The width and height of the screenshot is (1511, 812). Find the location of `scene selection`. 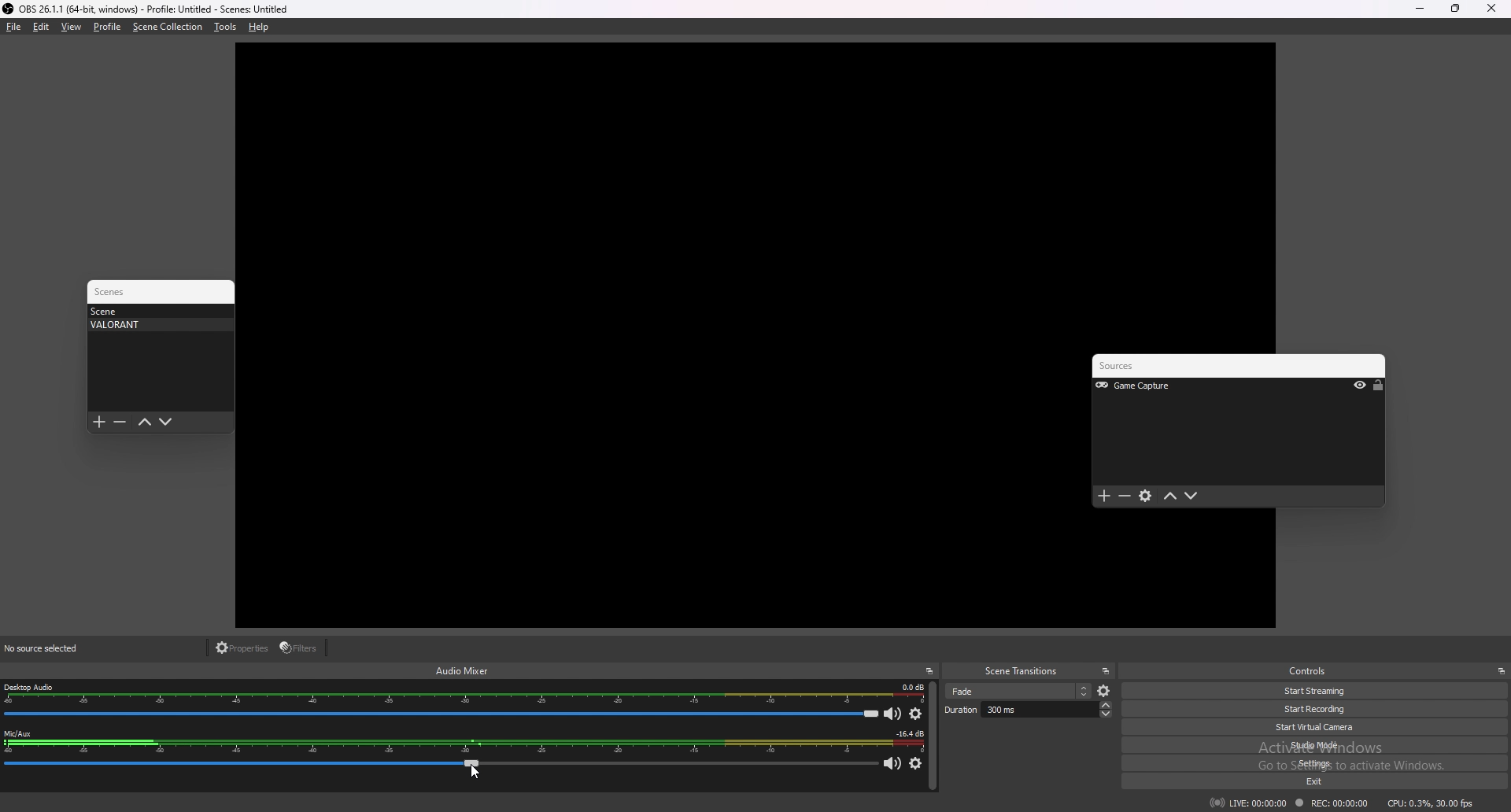

scene selection is located at coordinates (1018, 691).